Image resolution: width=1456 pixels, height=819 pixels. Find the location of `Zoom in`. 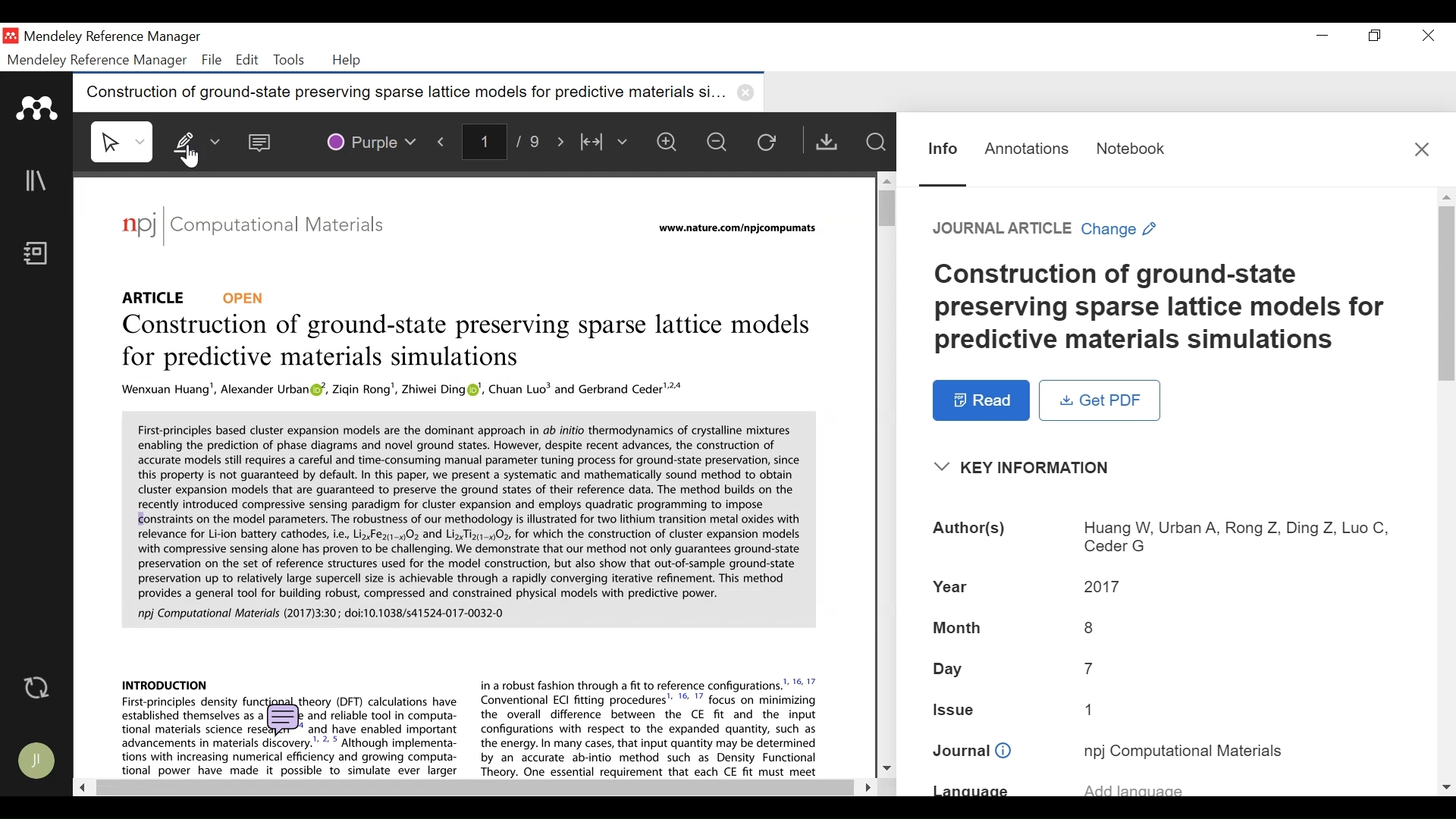

Zoom in is located at coordinates (671, 142).